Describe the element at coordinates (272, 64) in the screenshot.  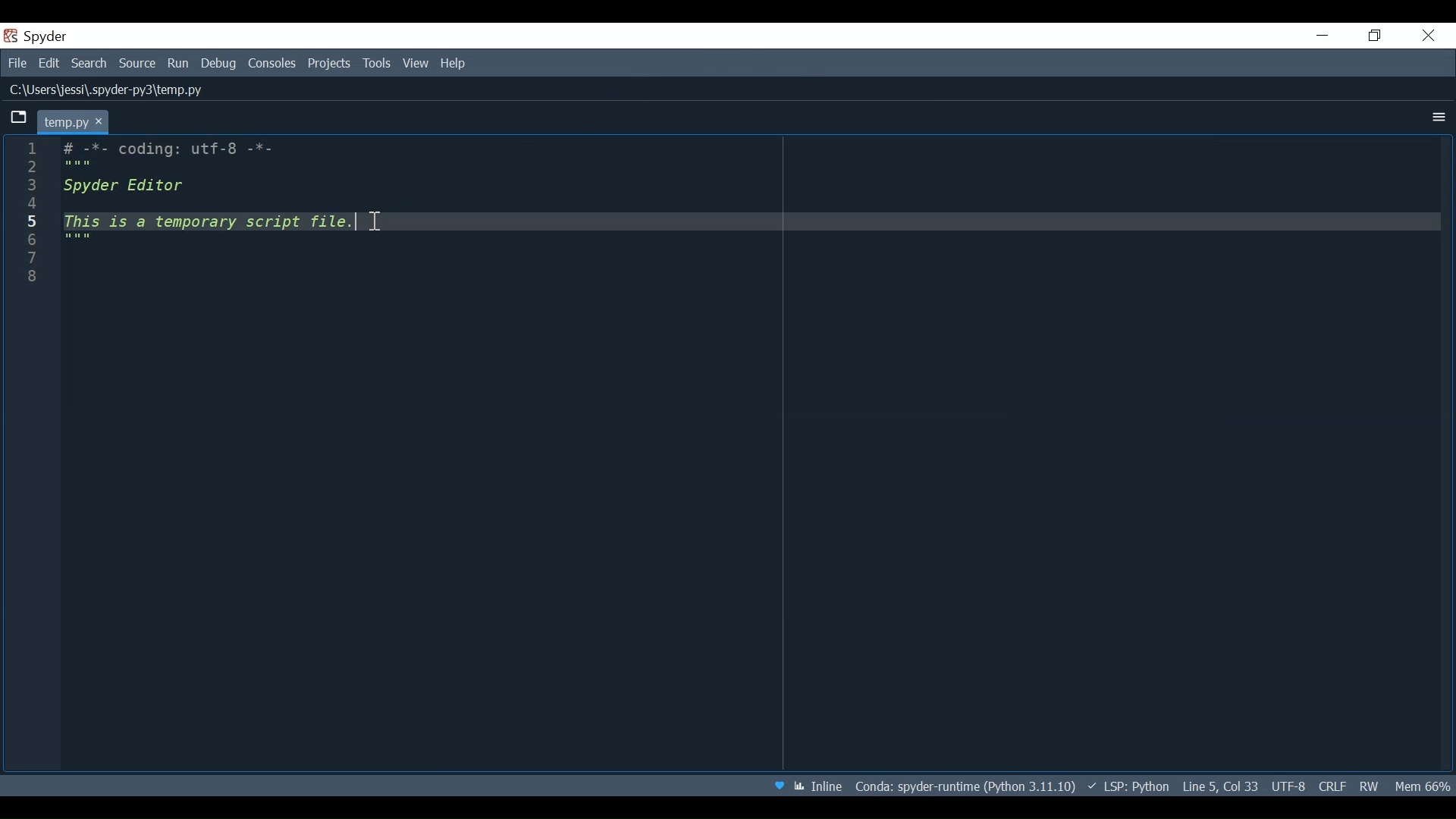
I see `Consoles` at that location.